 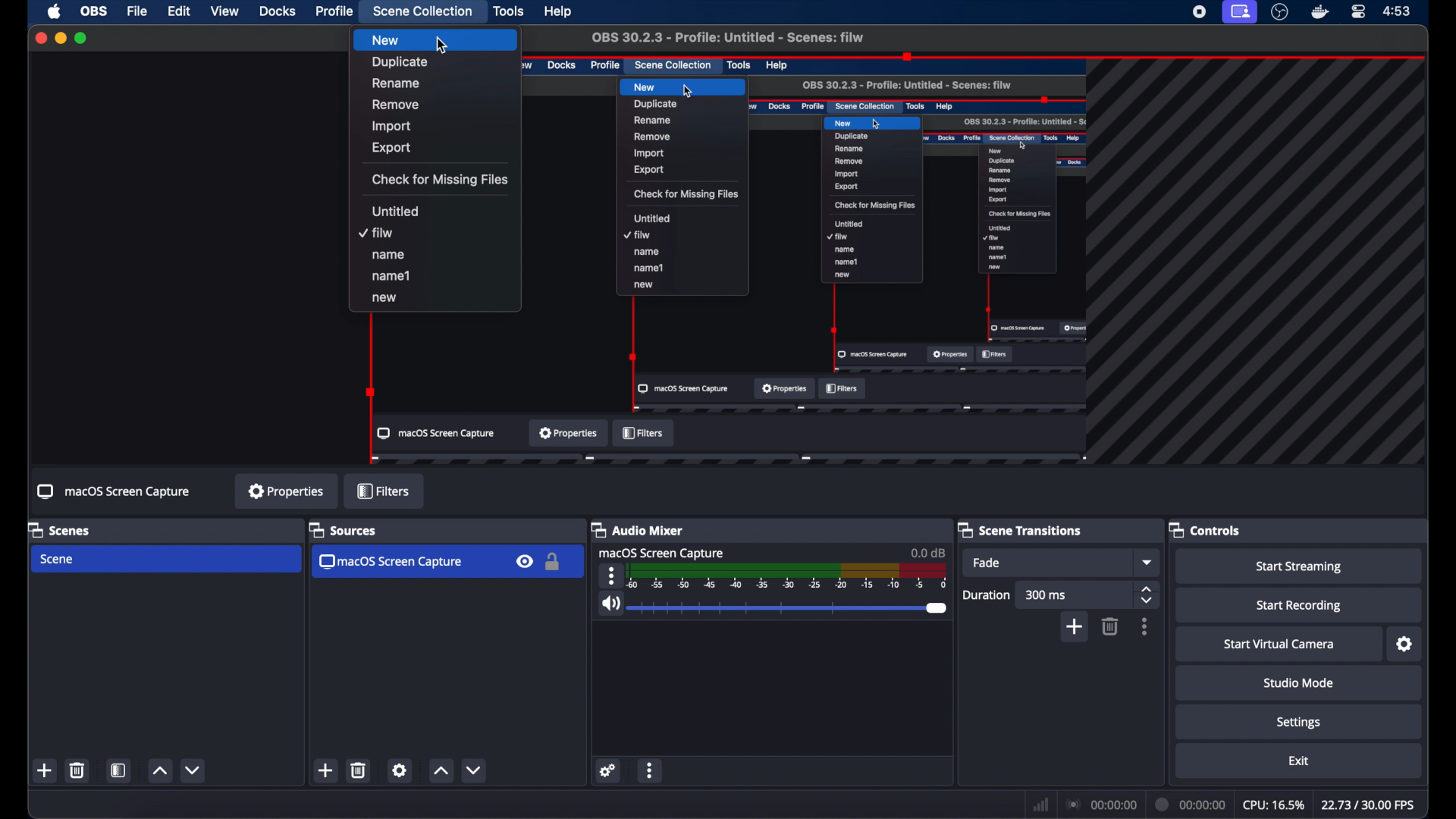 I want to click on maximize, so click(x=86, y=39).